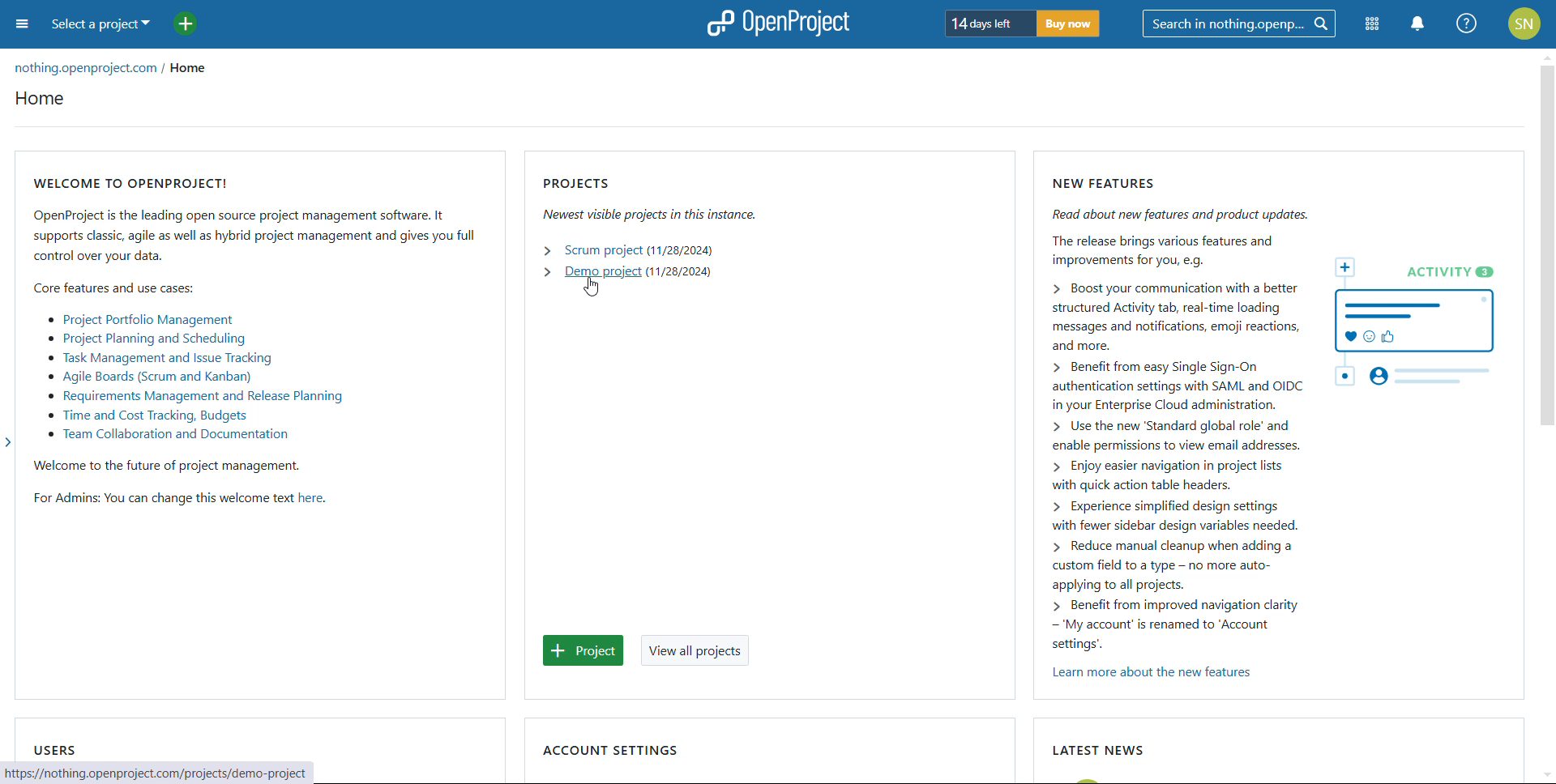 The height and width of the screenshot is (784, 1556). Describe the element at coordinates (147, 416) in the screenshot. I see `time and cost tracking, budgets` at that location.